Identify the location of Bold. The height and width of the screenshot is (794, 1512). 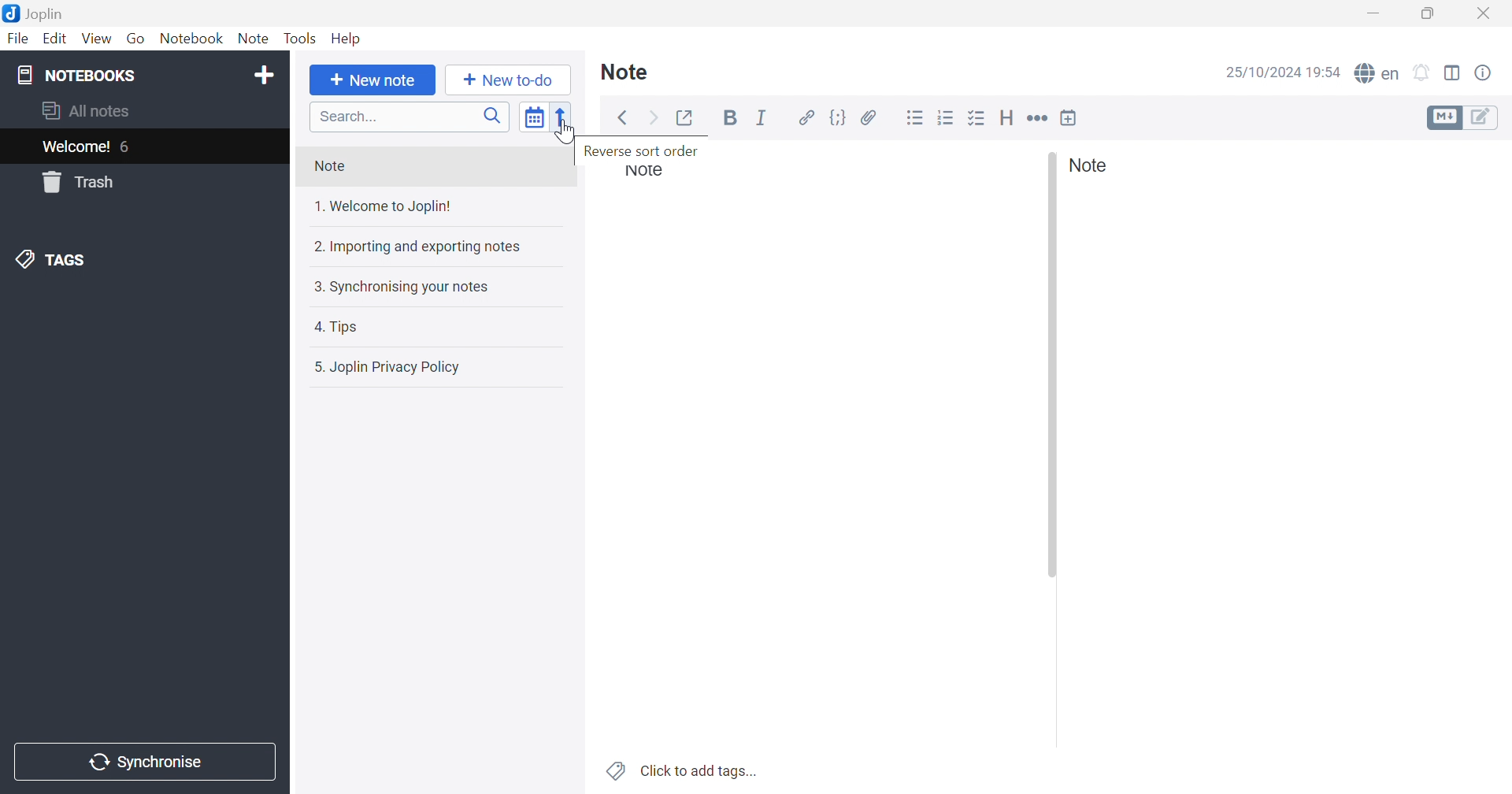
(732, 121).